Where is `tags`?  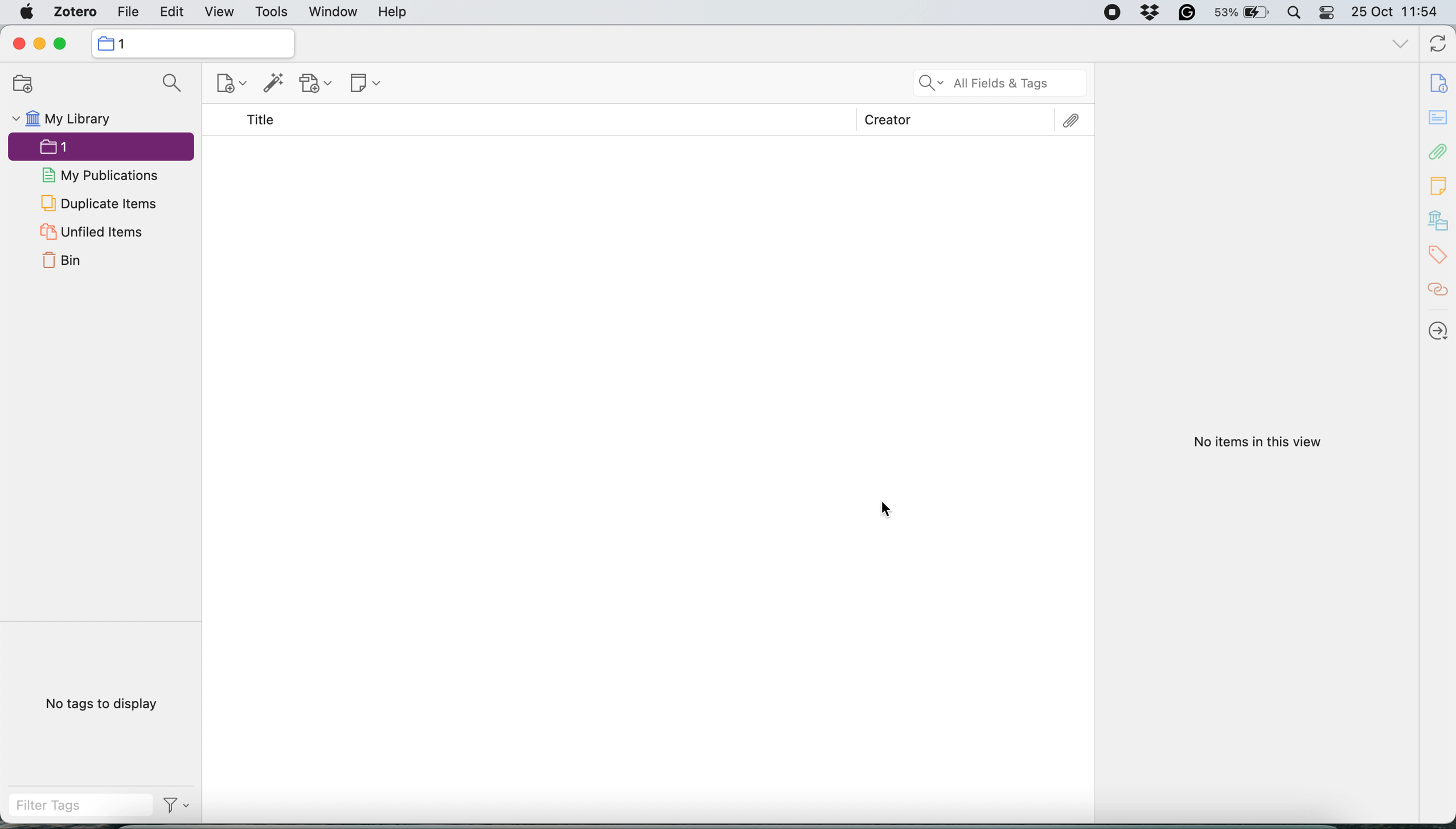
tags is located at coordinates (1439, 256).